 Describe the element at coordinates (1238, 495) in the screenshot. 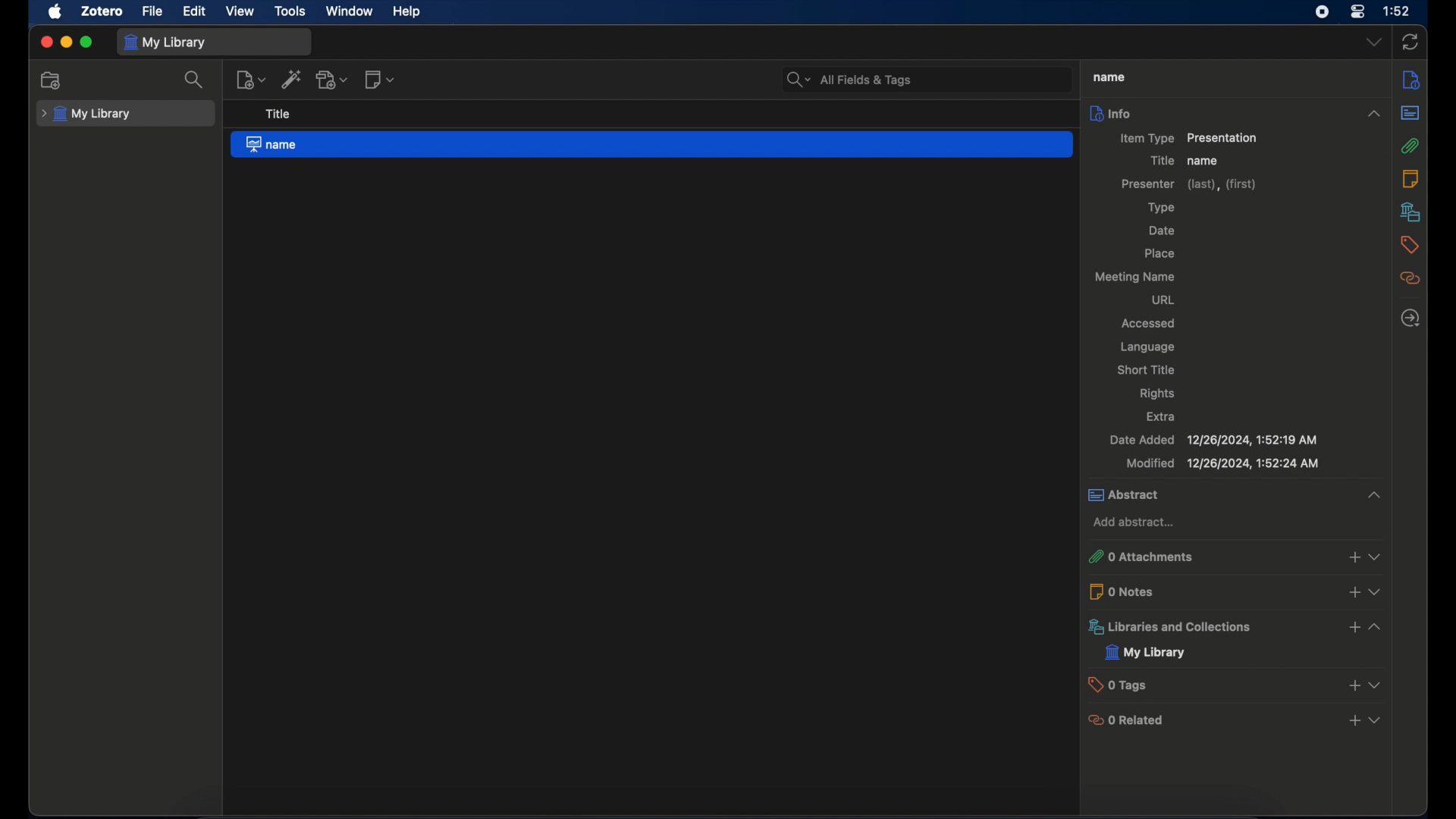

I see `abstract` at that location.